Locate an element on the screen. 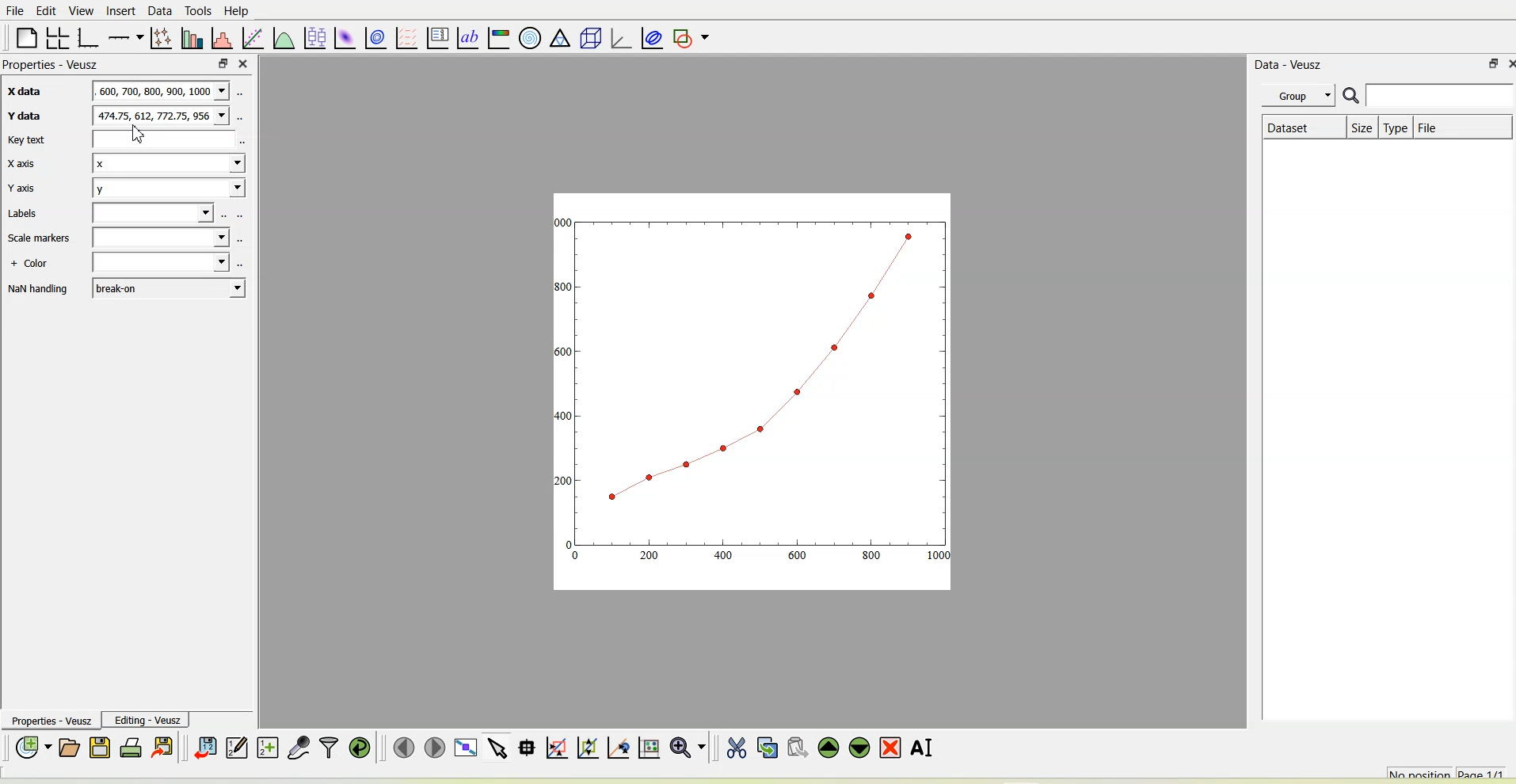  Editing-Veusz is located at coordinates (146, 720).